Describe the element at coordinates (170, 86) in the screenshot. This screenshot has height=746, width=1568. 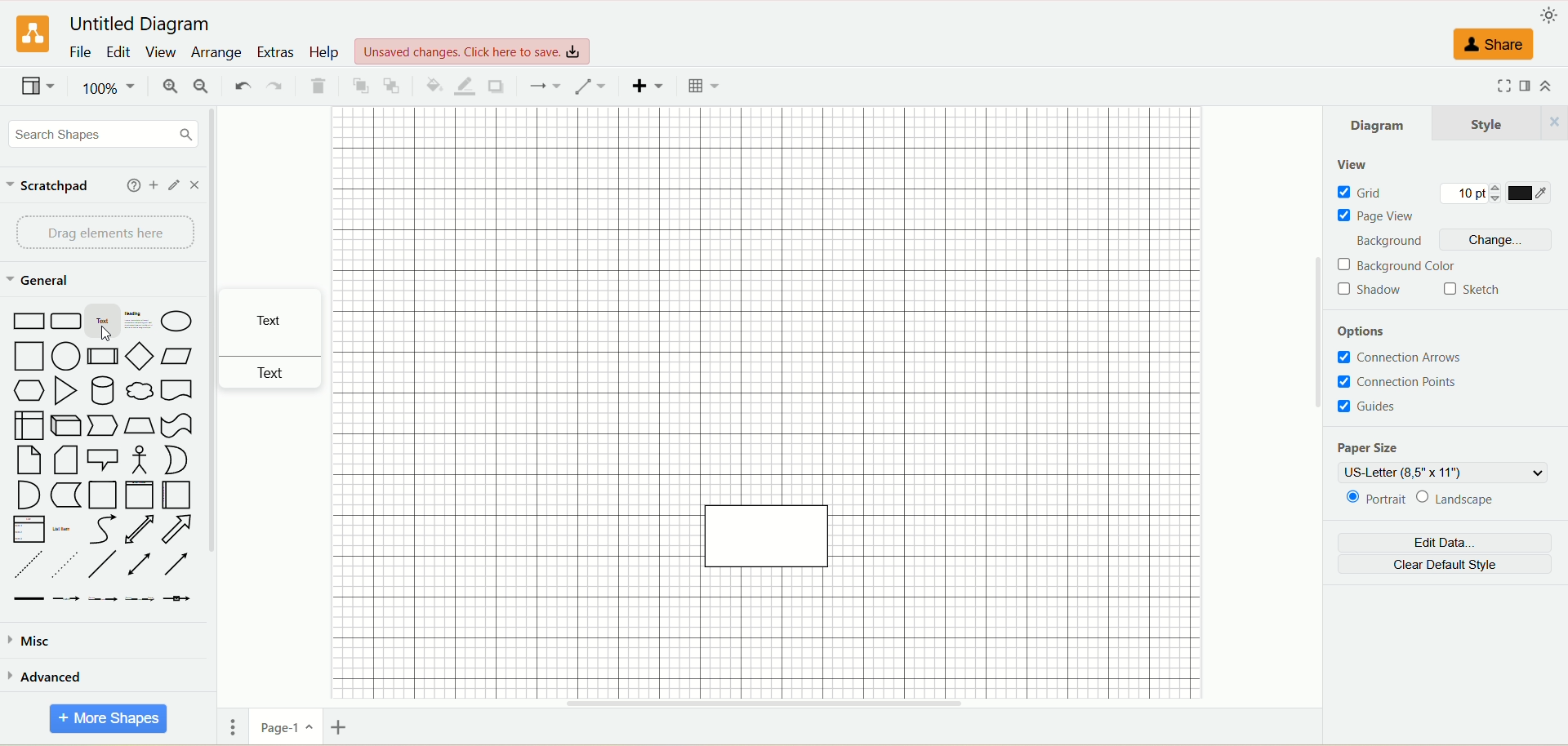
I see `zoom in` at that location.